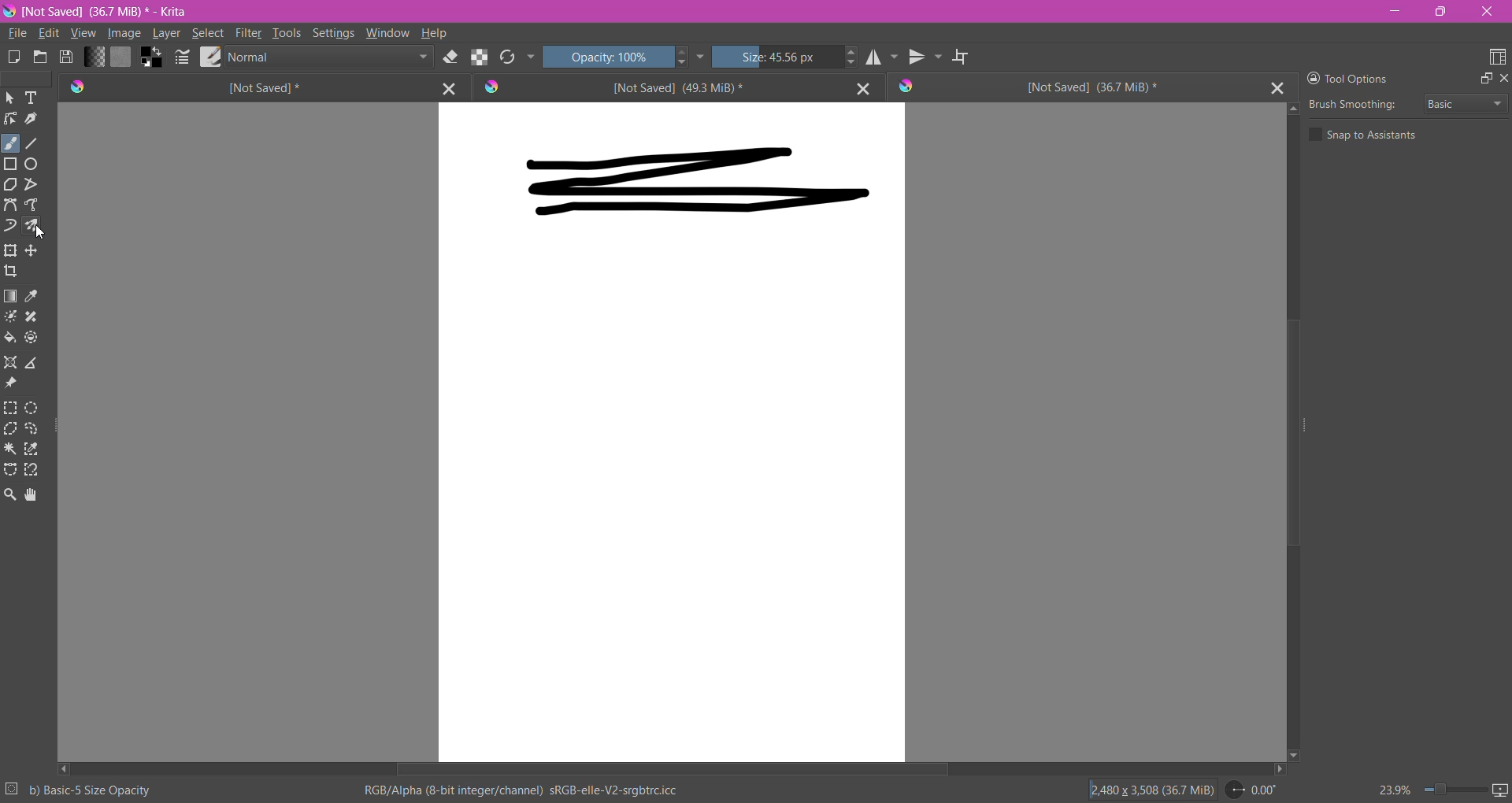  What do you see at coordinates (449, 58) in the screenshot?
I see `Set Eraser Mode` at bounding box center [449, 58].